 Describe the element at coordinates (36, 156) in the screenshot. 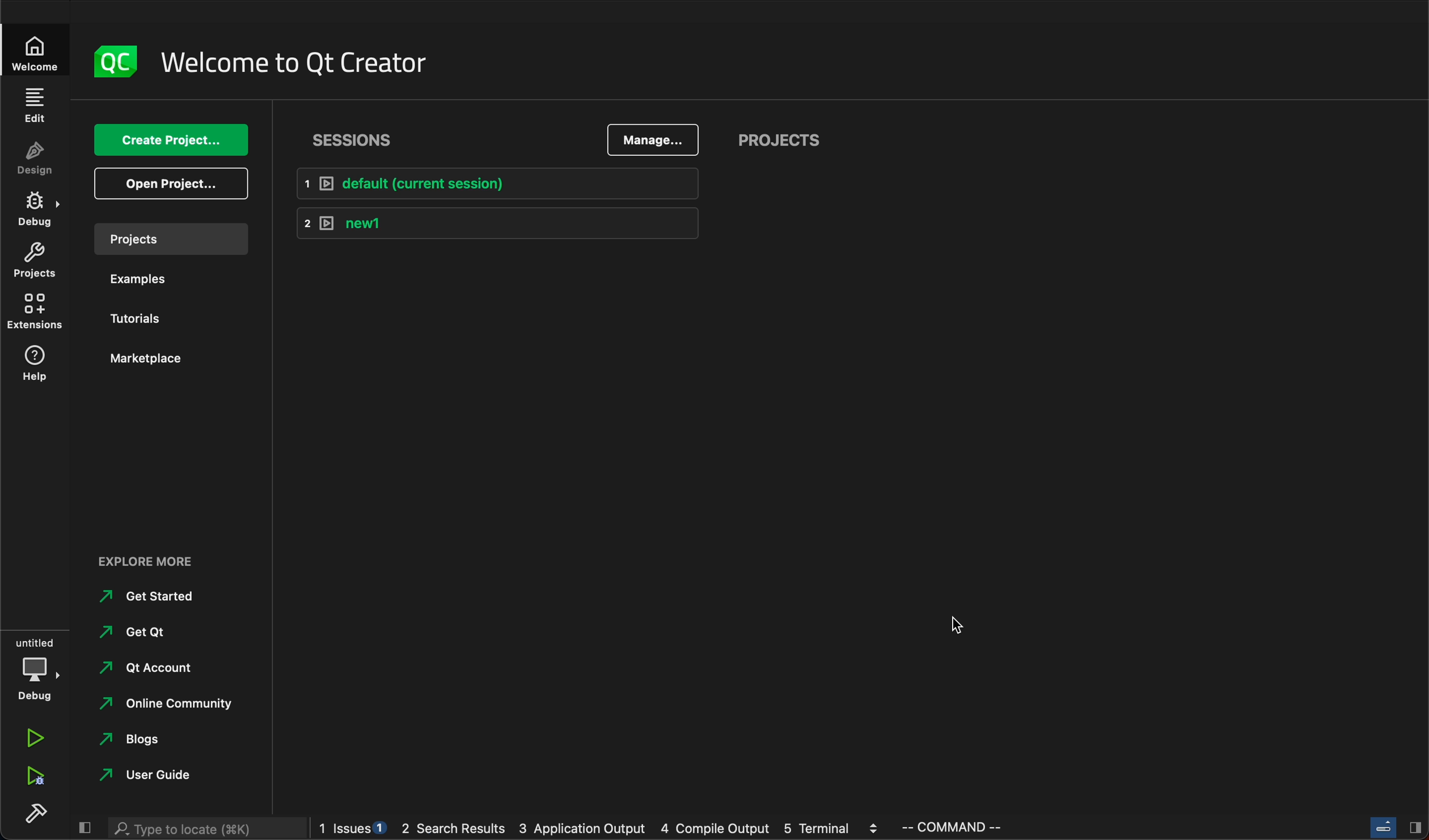

I see `design` at that location.